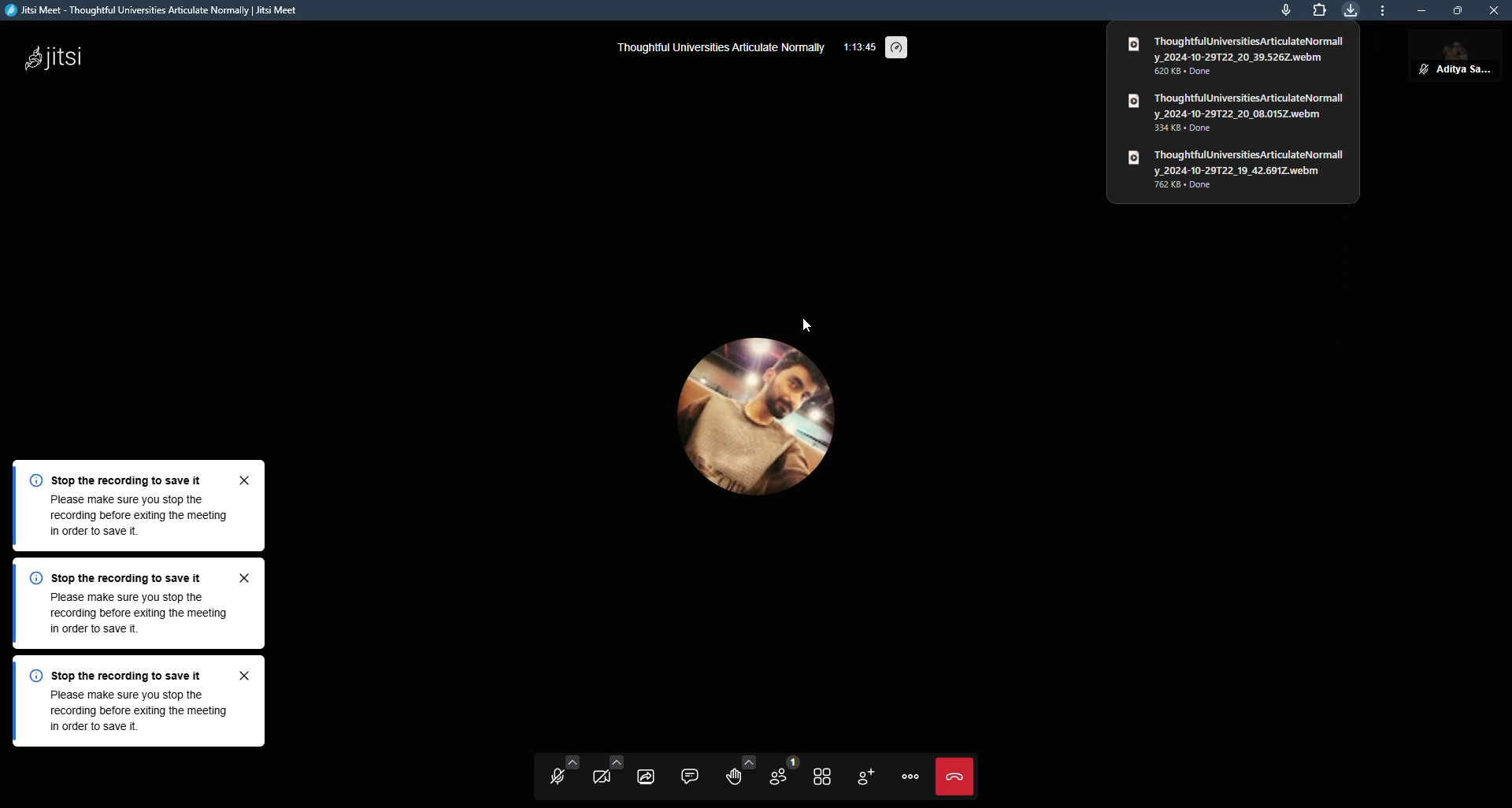 Image resolution: width=1512 pixels, height=808 pixels. I want to click on Jitsi Meet - Thoughtful Universities Articulate Normally | Jitsi Meet, so click(180, 9).